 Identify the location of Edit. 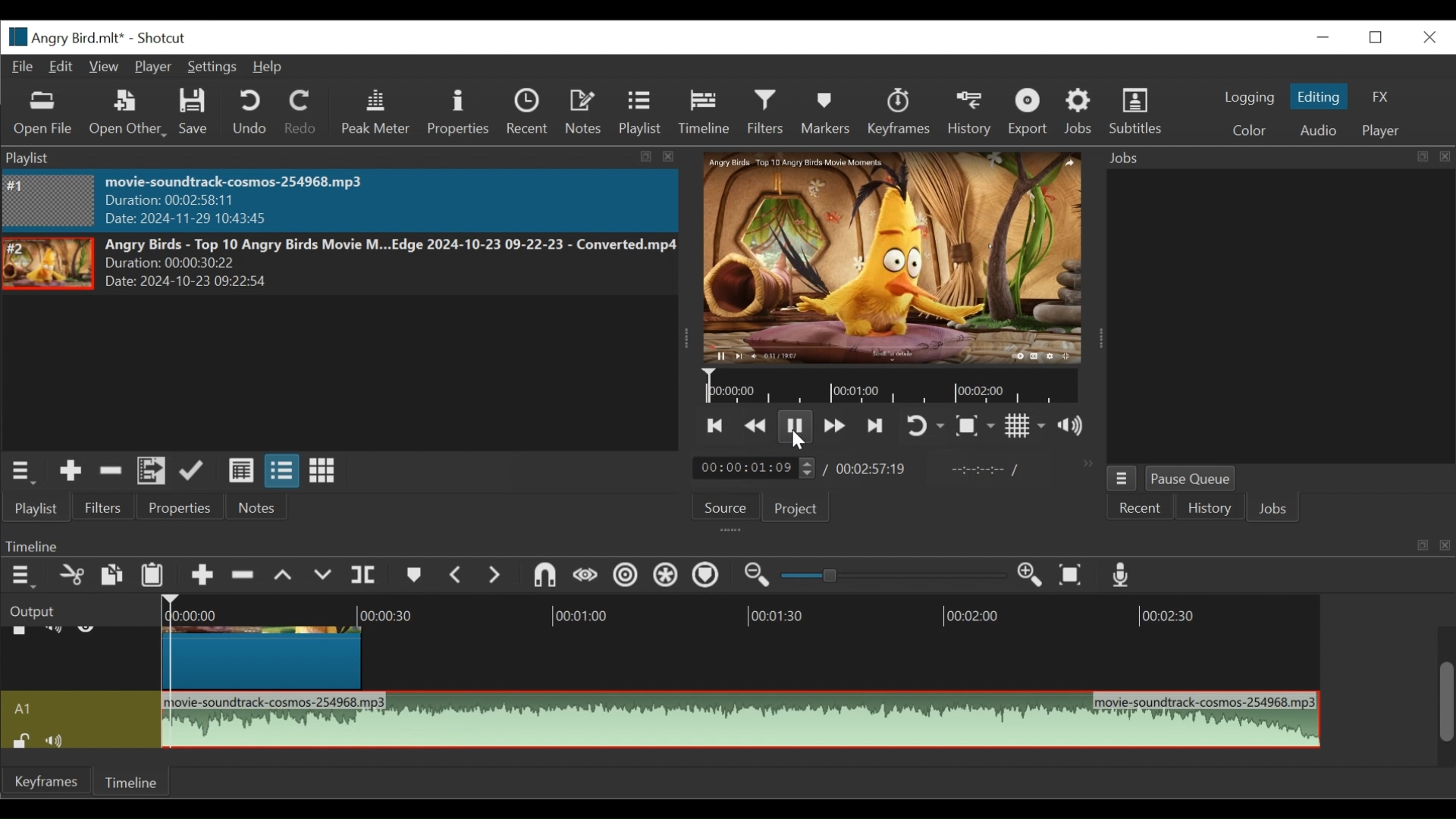
(61, 66).